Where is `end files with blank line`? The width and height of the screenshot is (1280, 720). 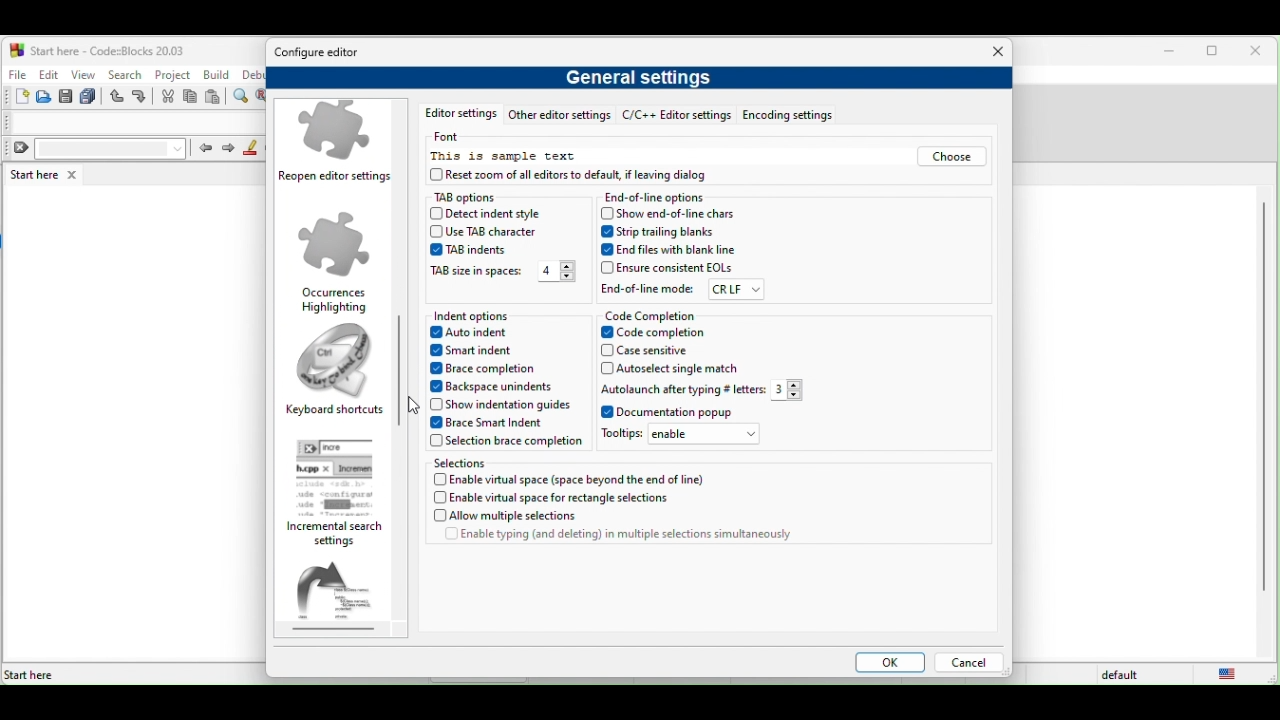
end files with blank line is located at coordinates (671, 250).